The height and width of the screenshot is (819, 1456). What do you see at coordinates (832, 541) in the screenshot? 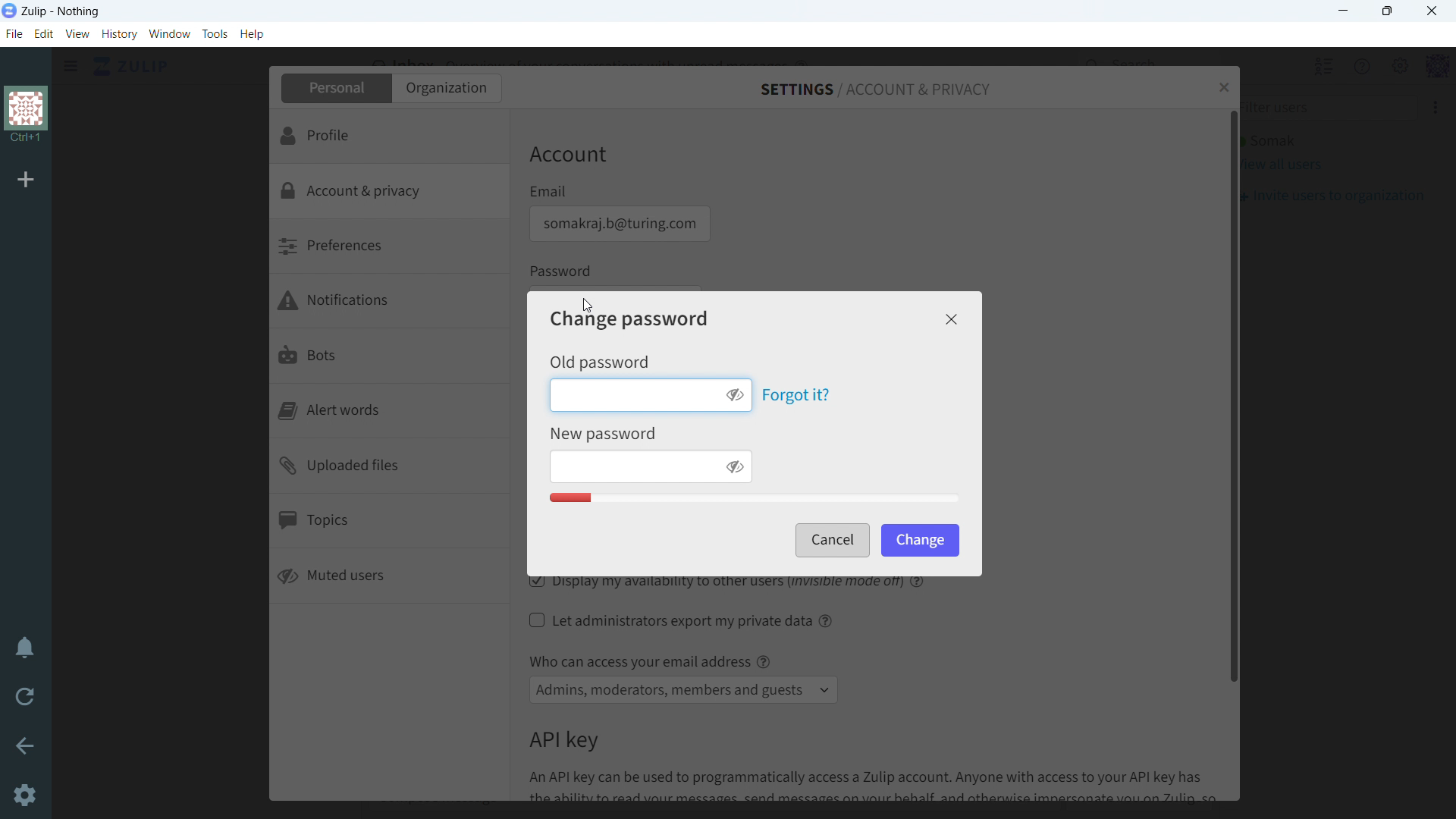
I see `cancel` at bounding box center [832, 541].